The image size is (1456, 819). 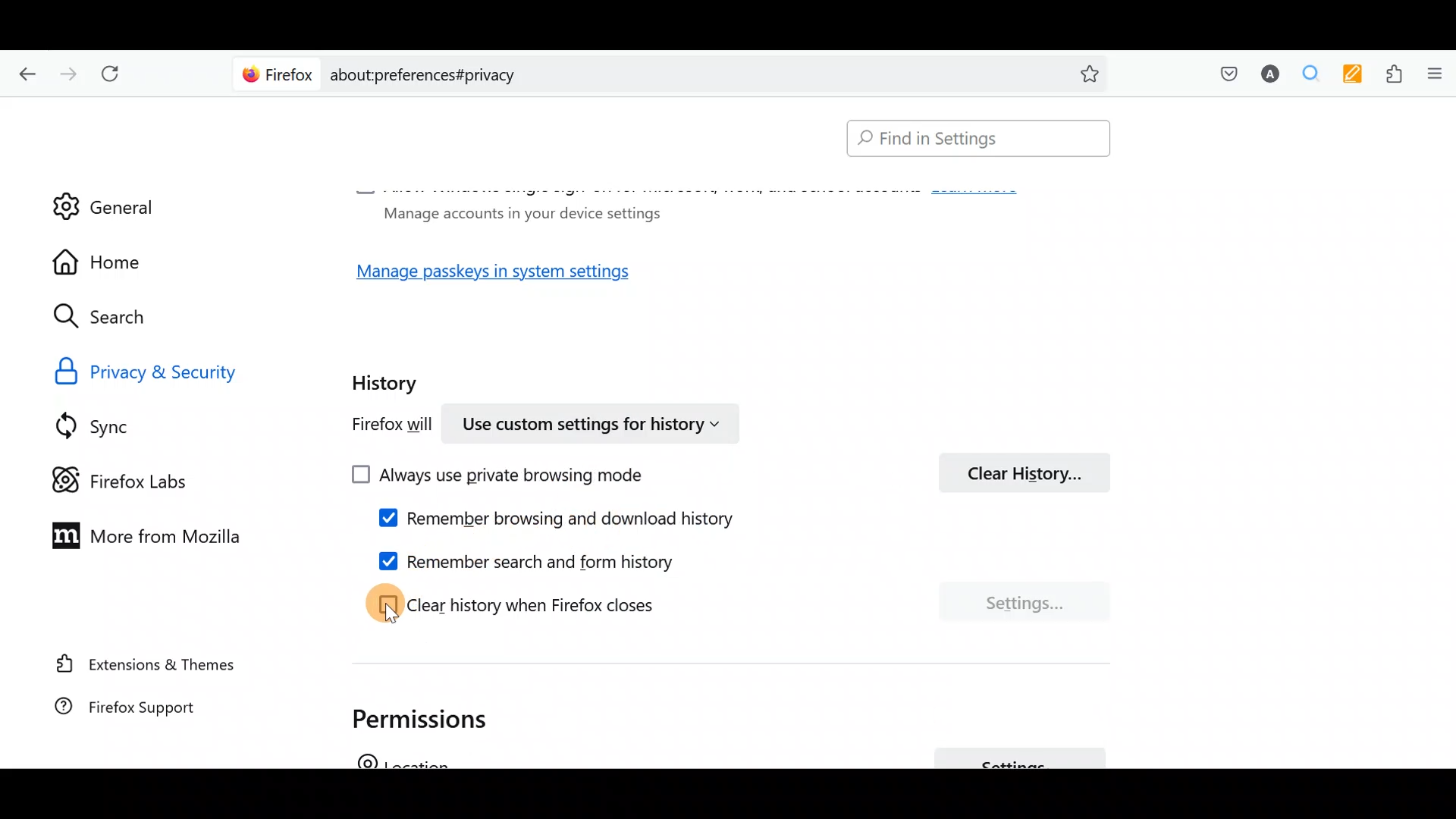 What do you see at coordinates (115, 74) in the screenshot?
I see `Reload current page` at bounding box center [115, 74].